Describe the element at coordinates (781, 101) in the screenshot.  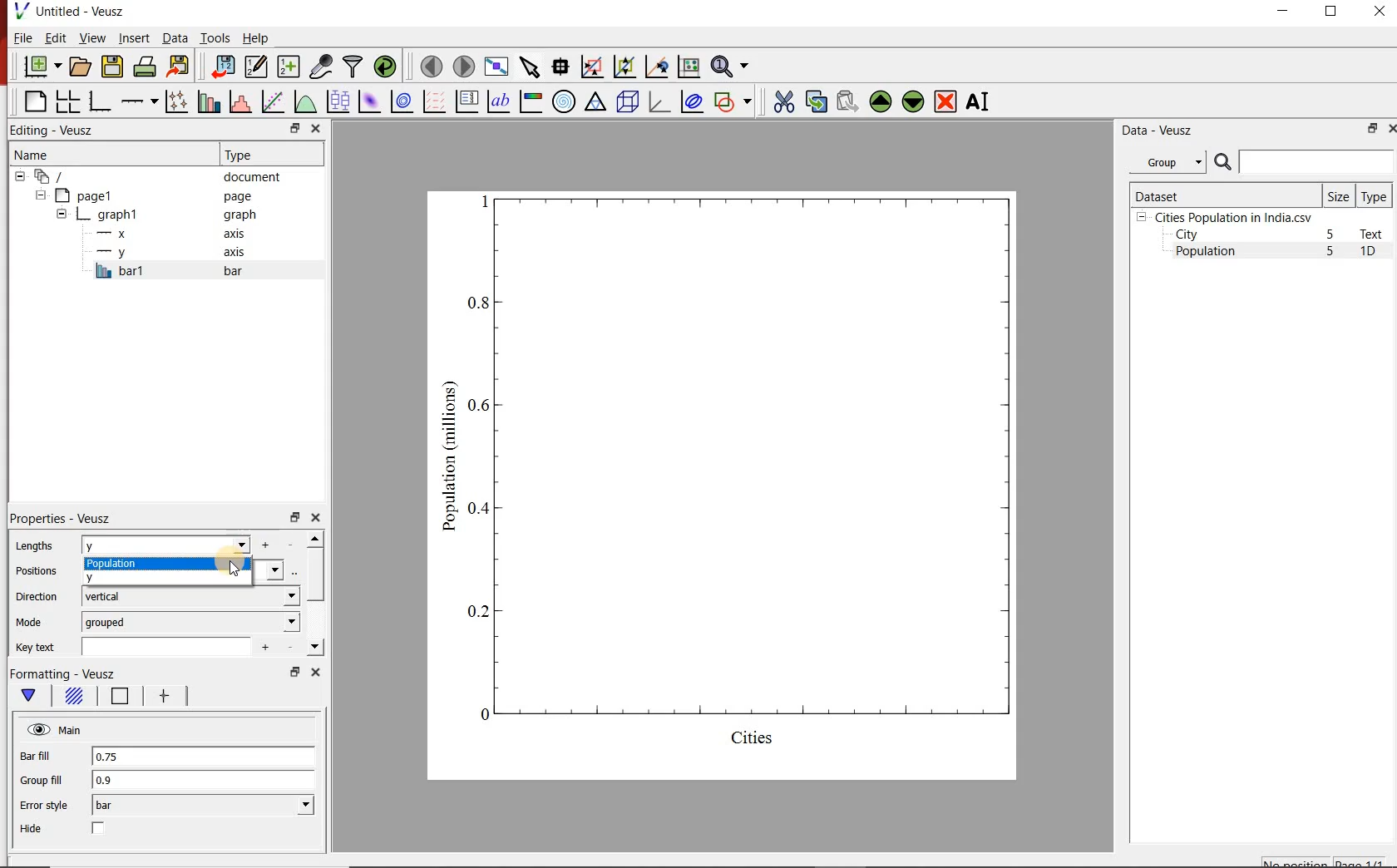
I see `cut the selected widget` at that location.